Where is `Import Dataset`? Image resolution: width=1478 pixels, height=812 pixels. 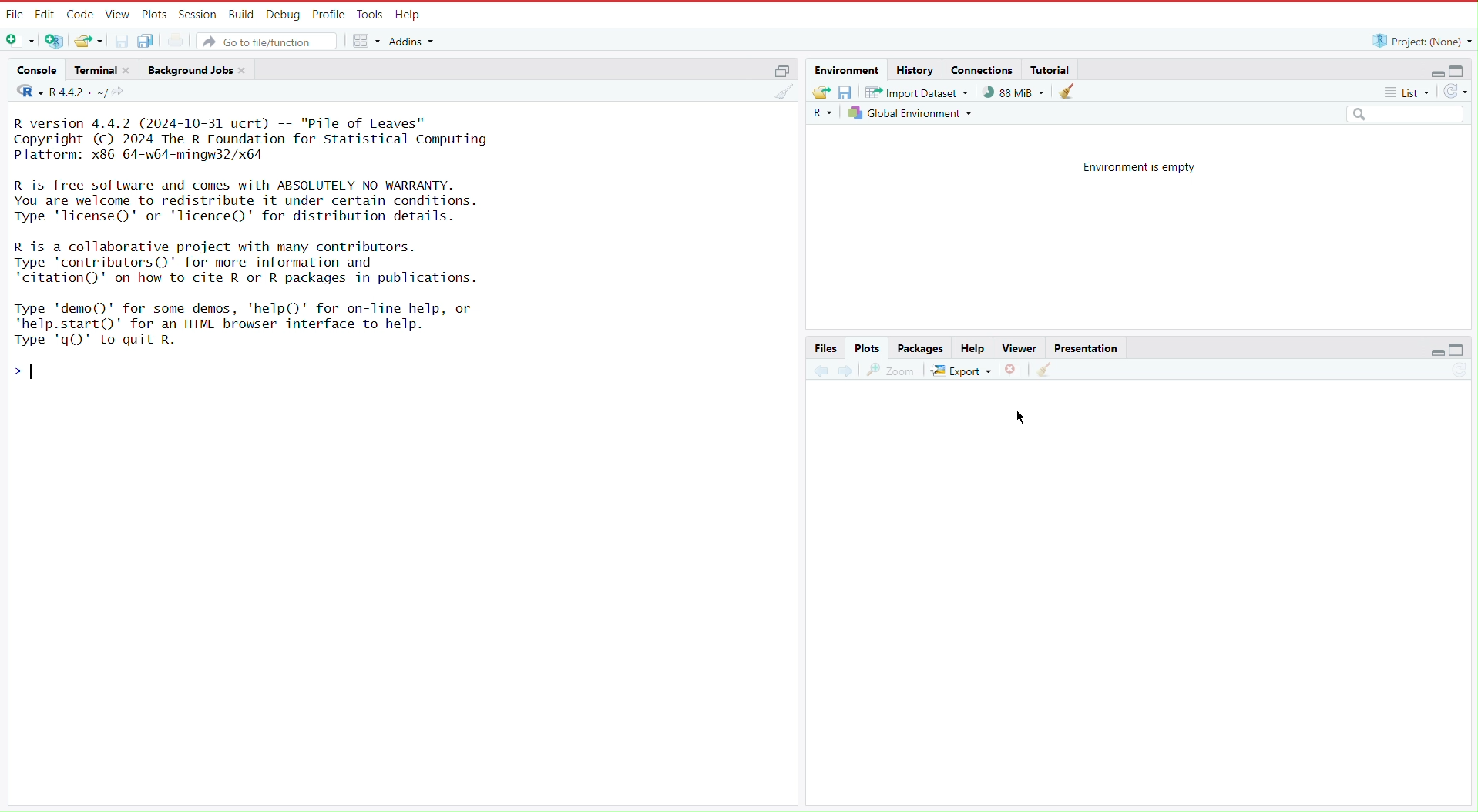
Import Dataset is located at coordinates (919, 92).